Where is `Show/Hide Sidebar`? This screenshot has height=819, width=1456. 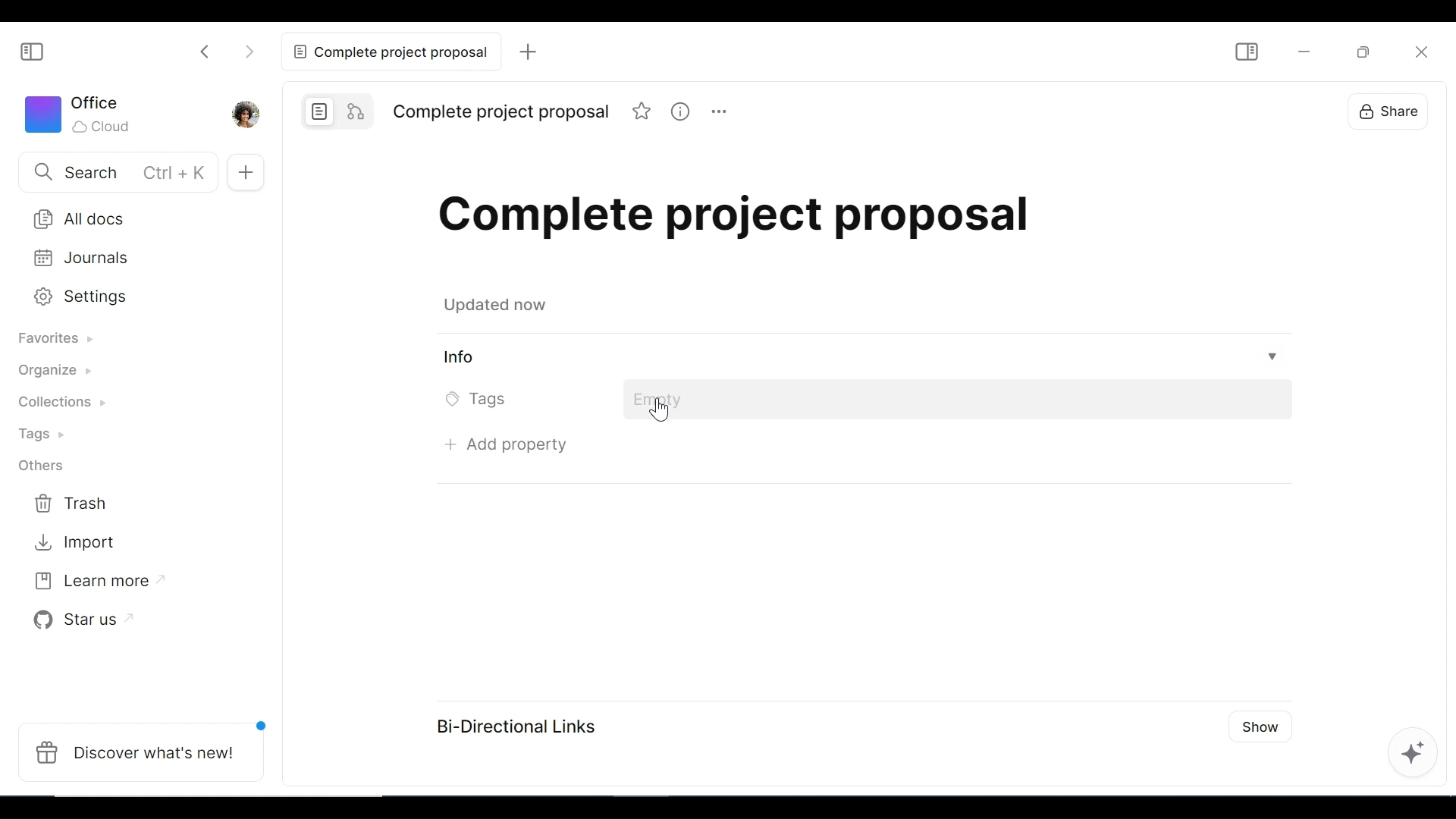
Show/Hide Sidebar is located at coordinates (1244, 53).